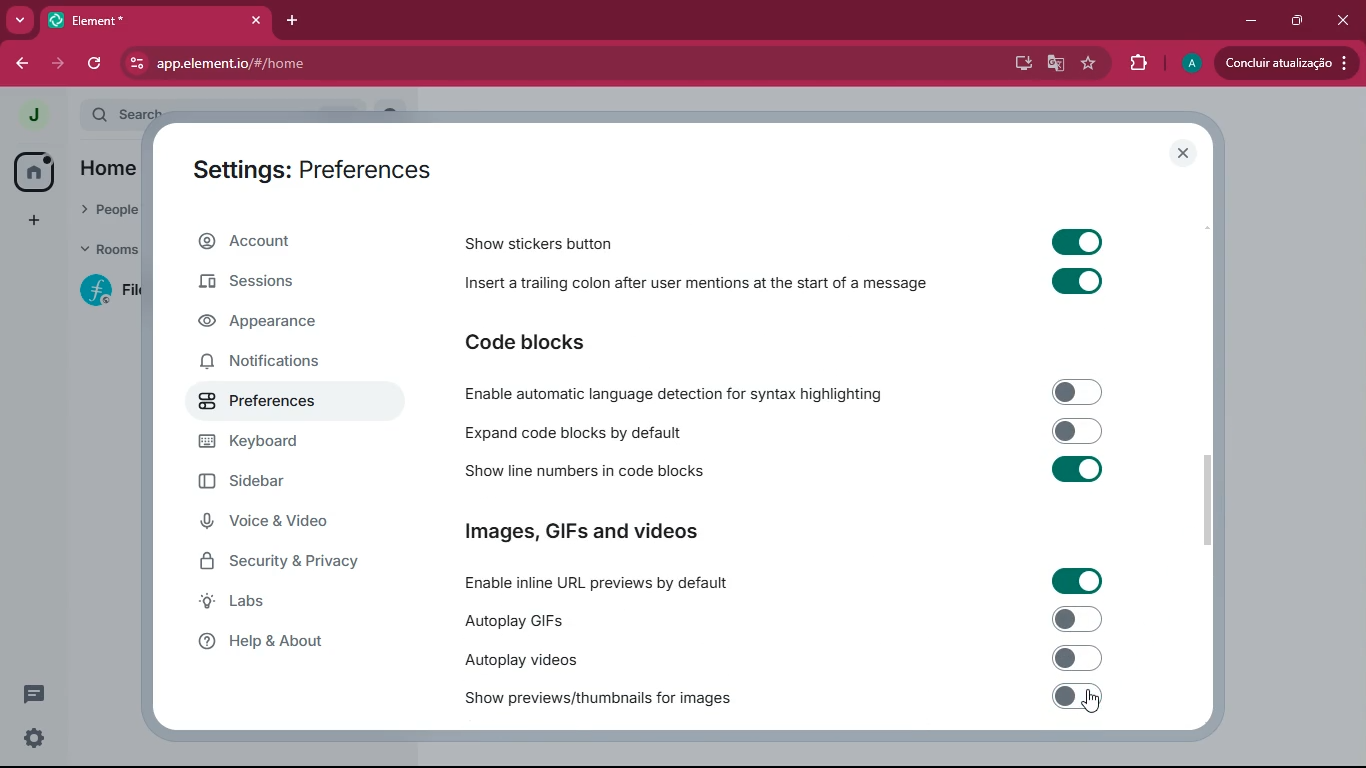 The image size is (1366, 768). What do you see at coordinates (697, 285) in the screenshot?
I see `Insert a trailing colon after user mentions at the start of a message` at bounding box center [697, 285].